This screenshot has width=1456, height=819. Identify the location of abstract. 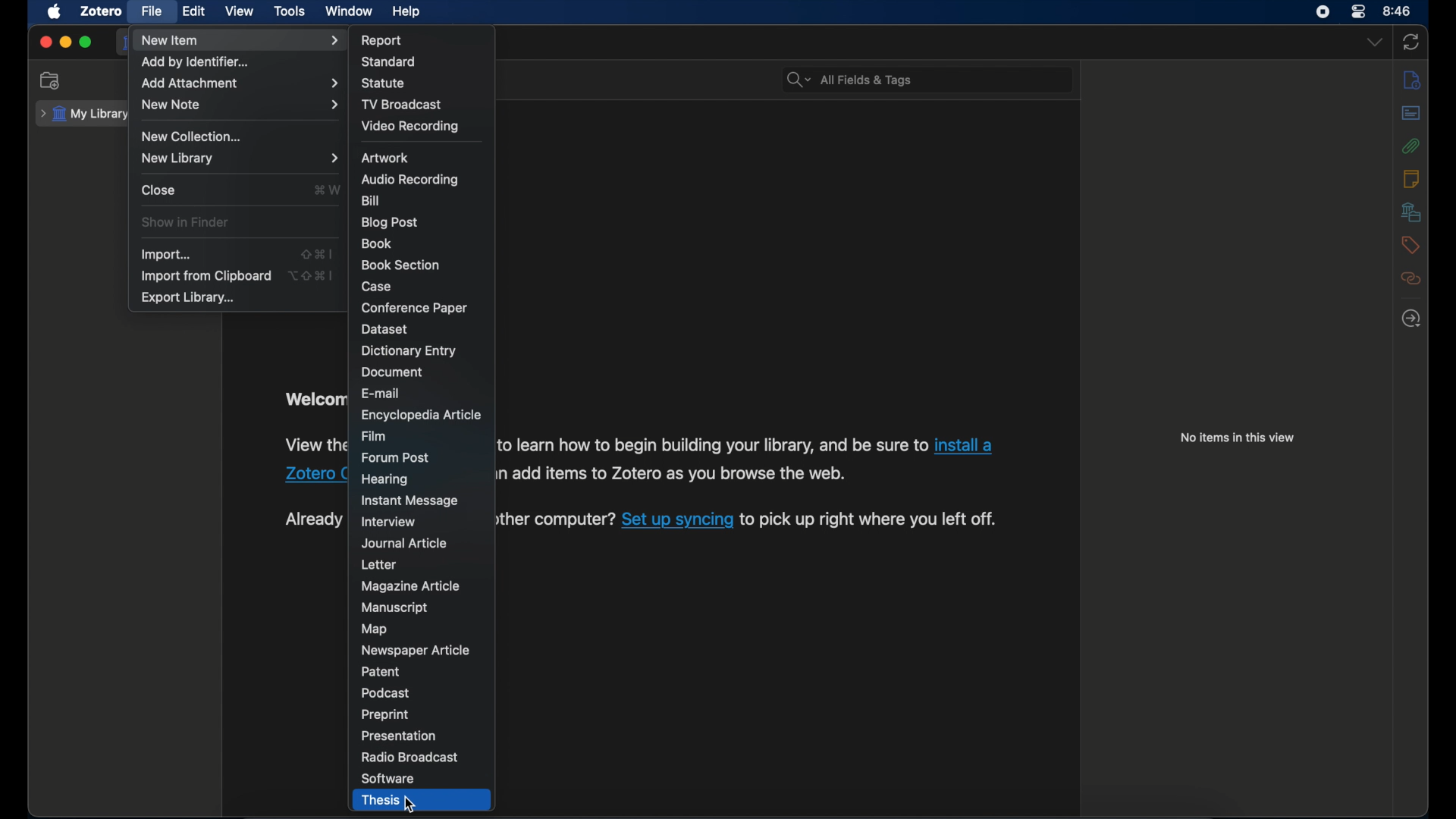
(1410, 113).